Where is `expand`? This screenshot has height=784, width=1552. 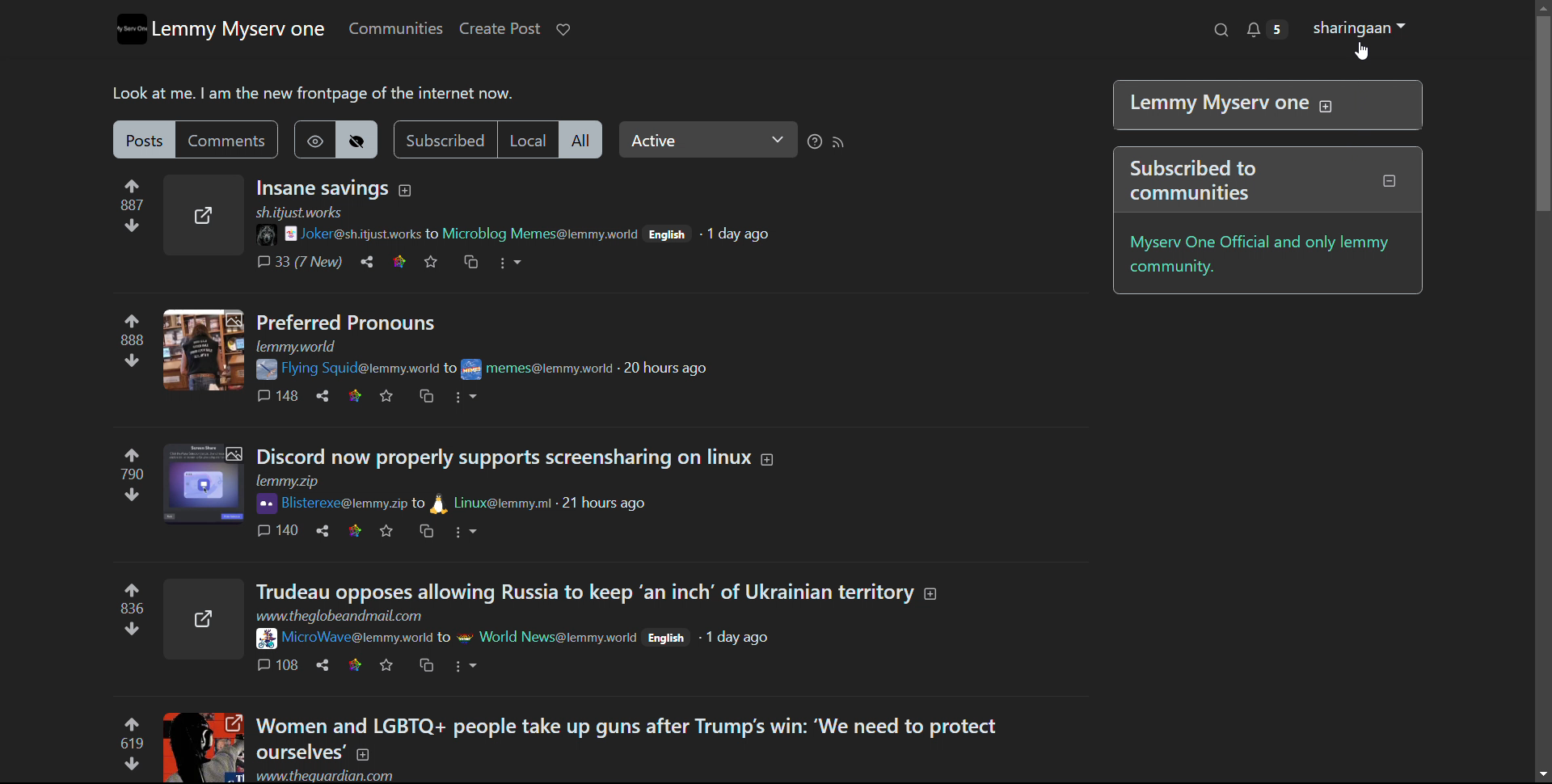 expand is located at coordinates (363, 754).